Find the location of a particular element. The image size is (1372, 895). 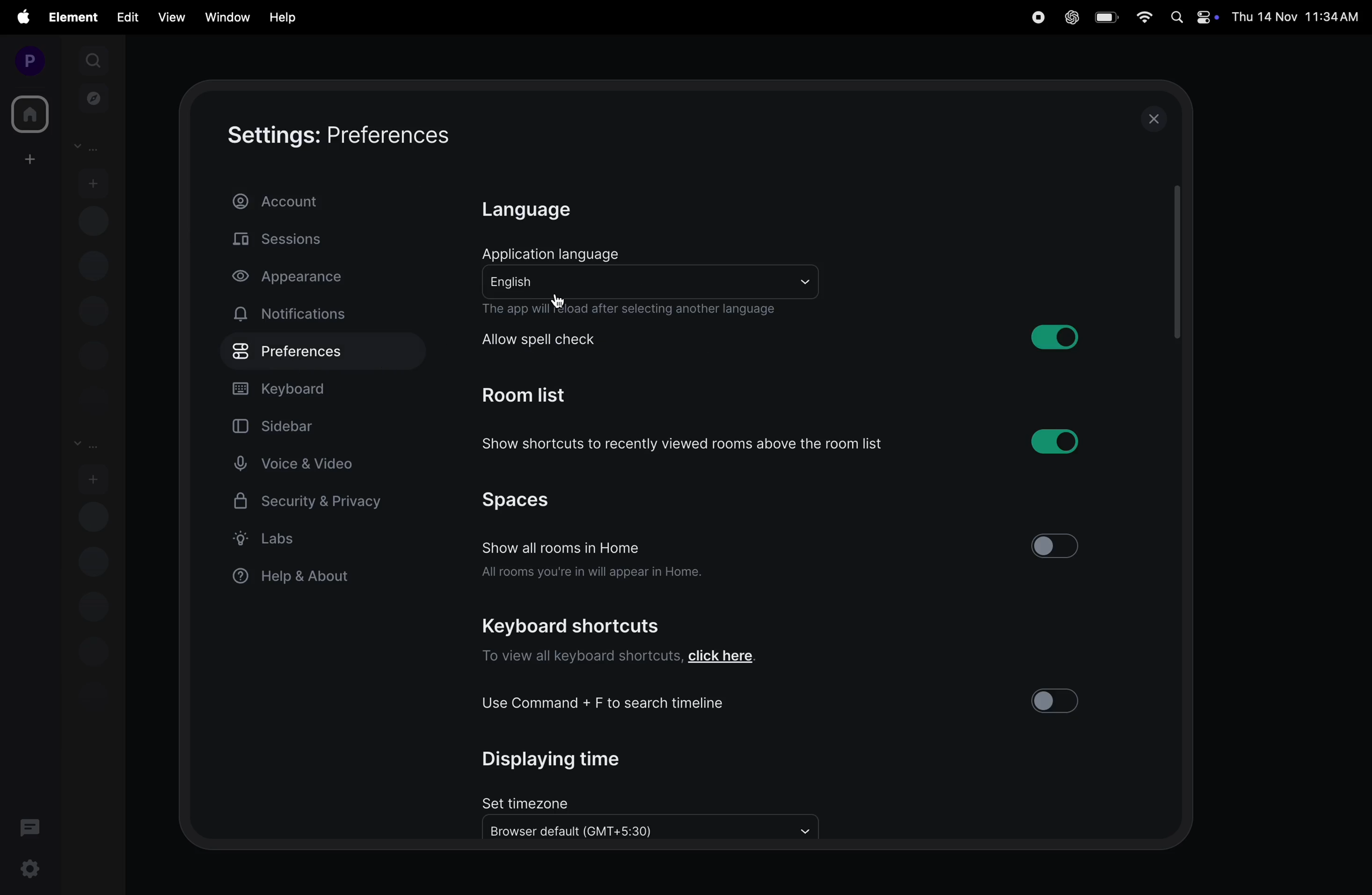

profile is located at coordinates (27, 59).